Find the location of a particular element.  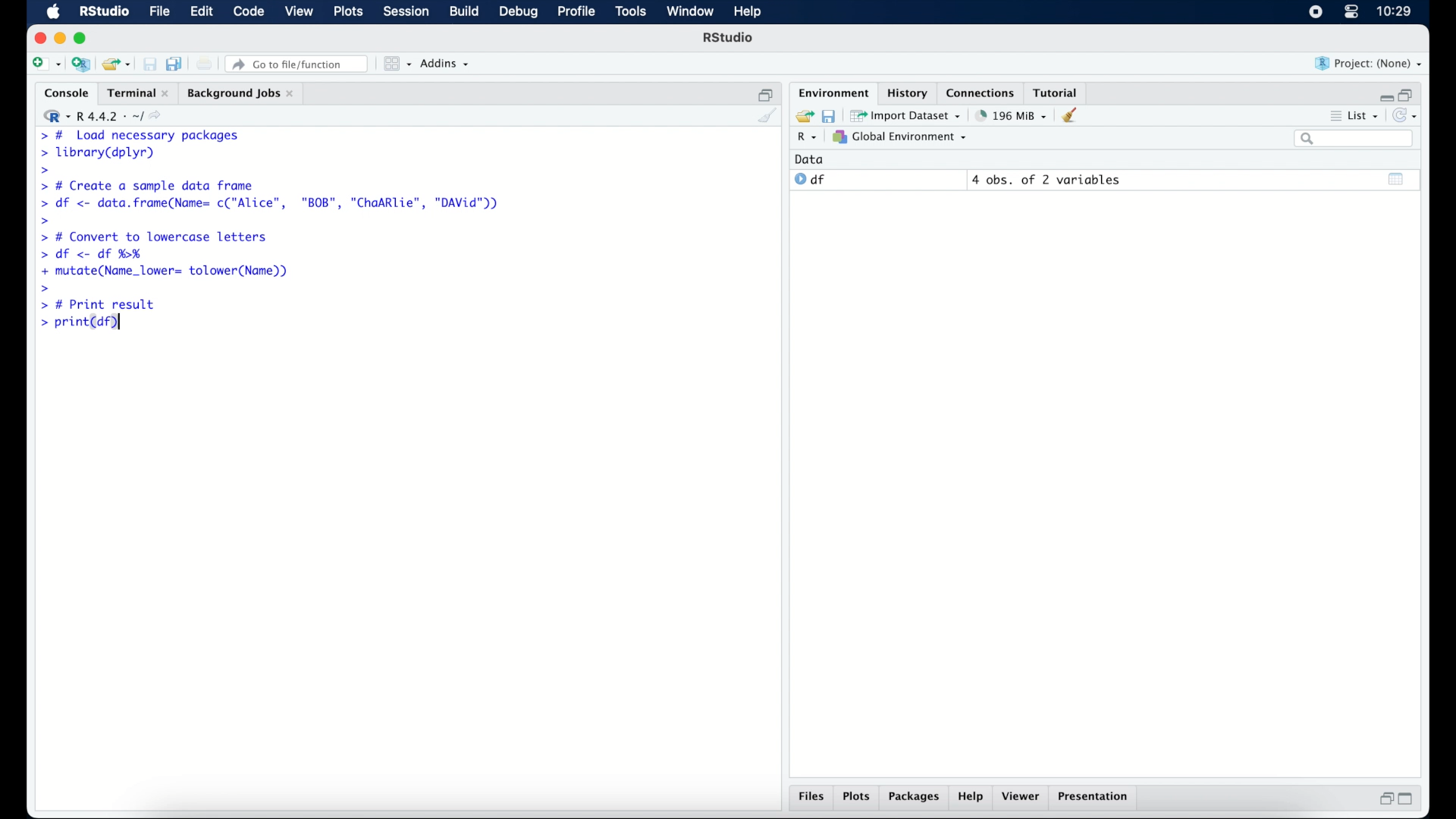

maximize is located at coordinates (83, 38).